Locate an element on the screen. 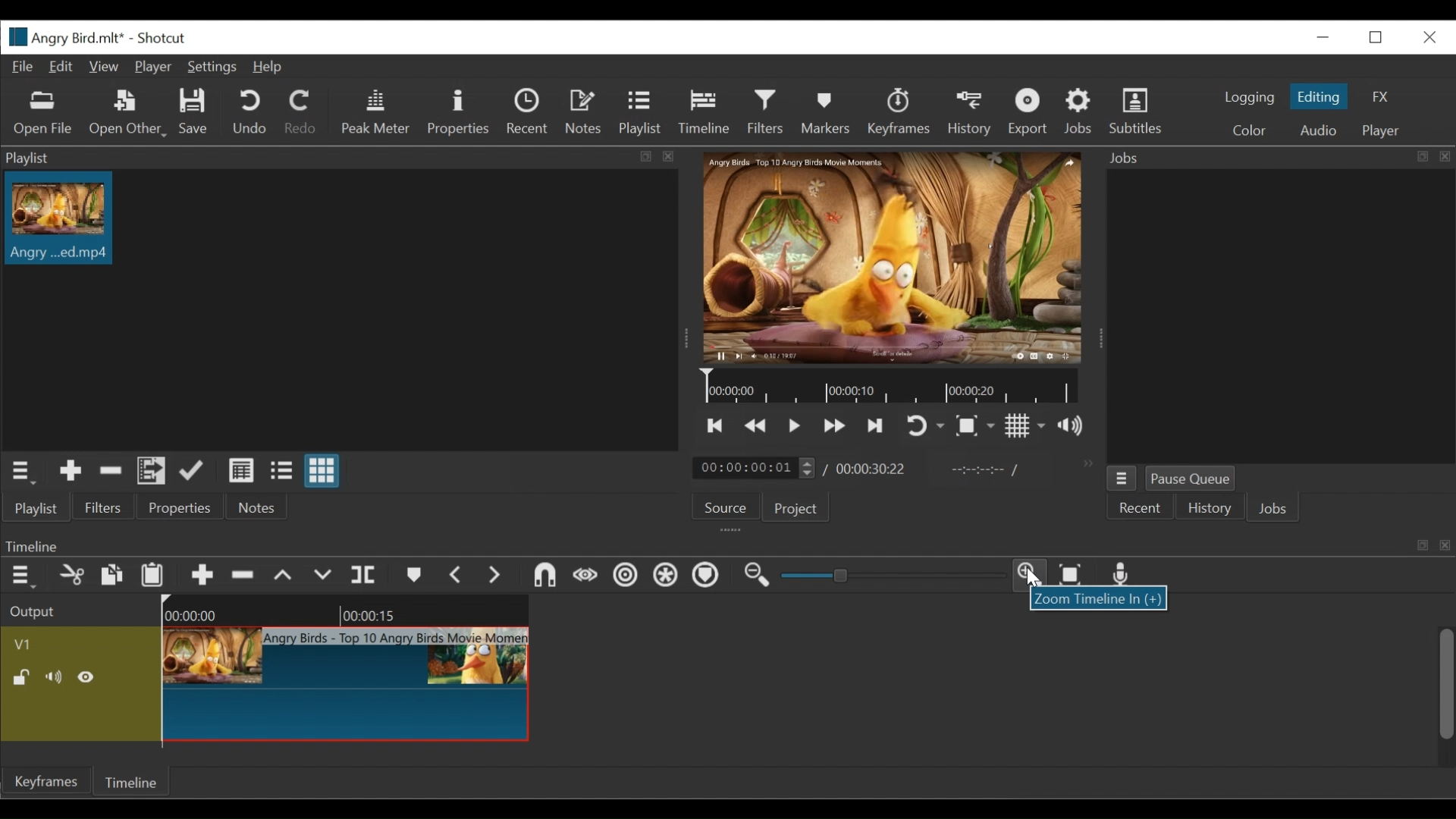  Toggle zoom is located at coordinates (975, 425).